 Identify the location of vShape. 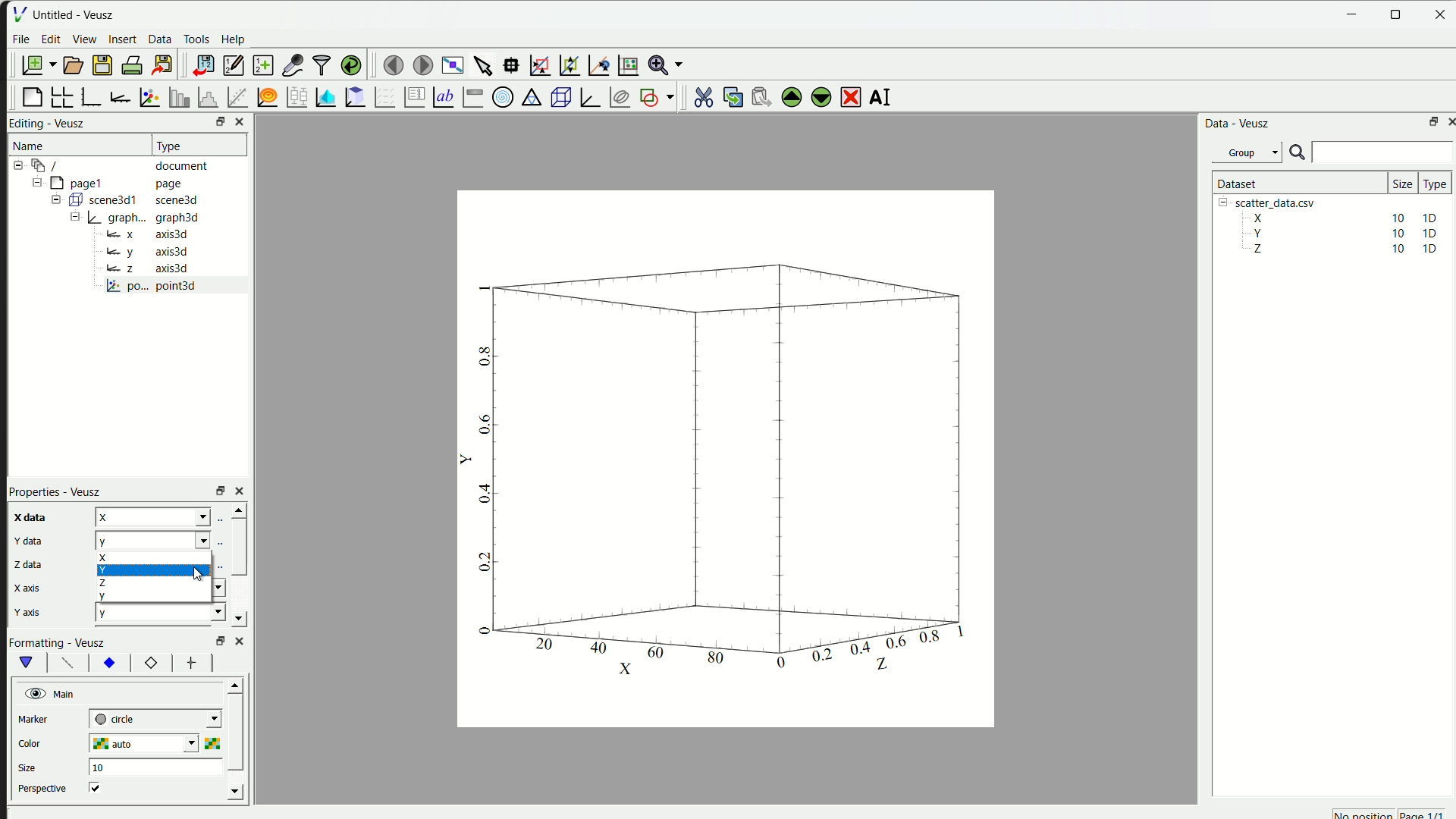
(27, 663).